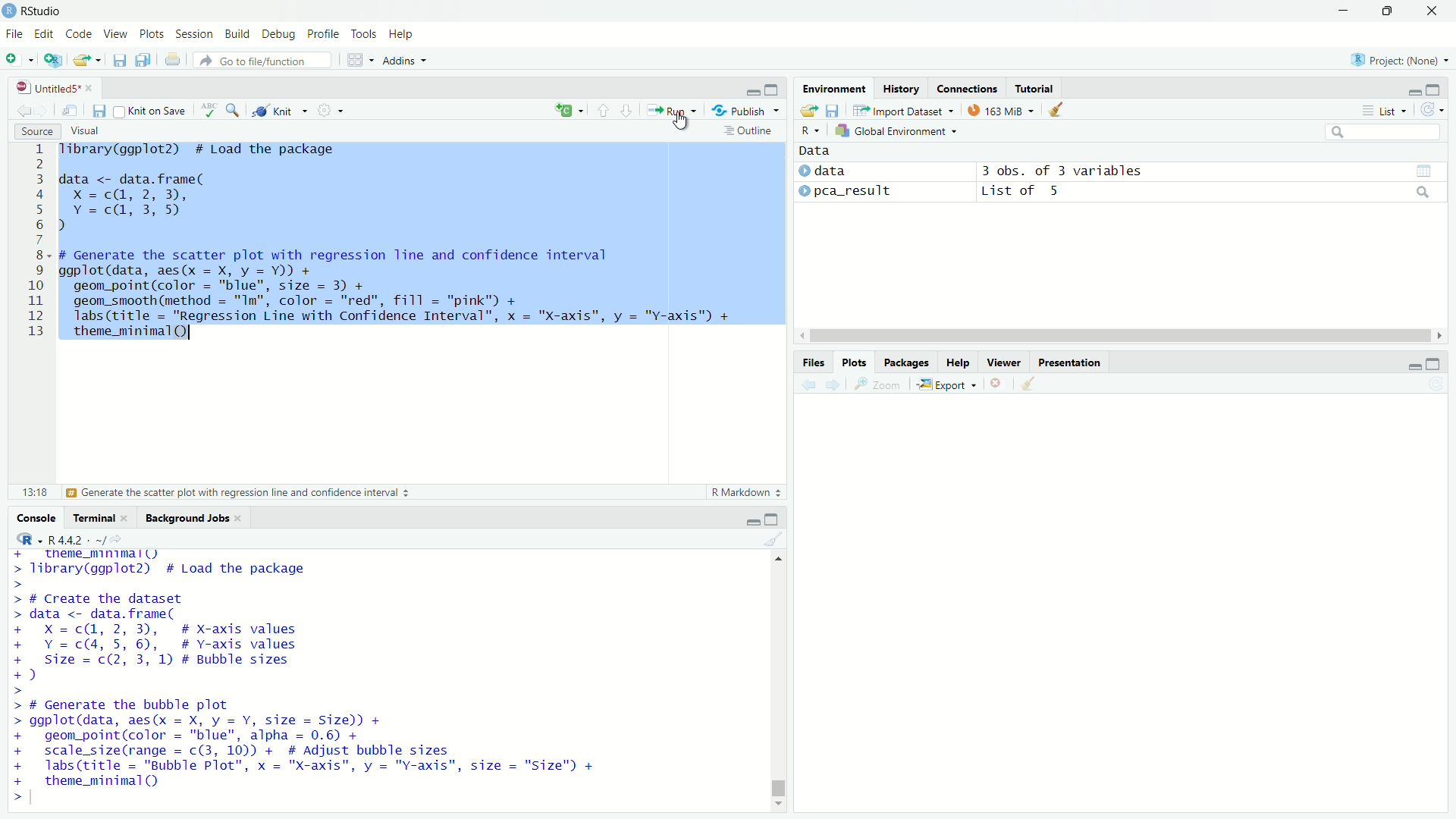 This screenshot has width=1456, height=819. What do you see at coordinates (35, 492) in the screenshot?
I see `13:18` at bounding box center [35, 492].